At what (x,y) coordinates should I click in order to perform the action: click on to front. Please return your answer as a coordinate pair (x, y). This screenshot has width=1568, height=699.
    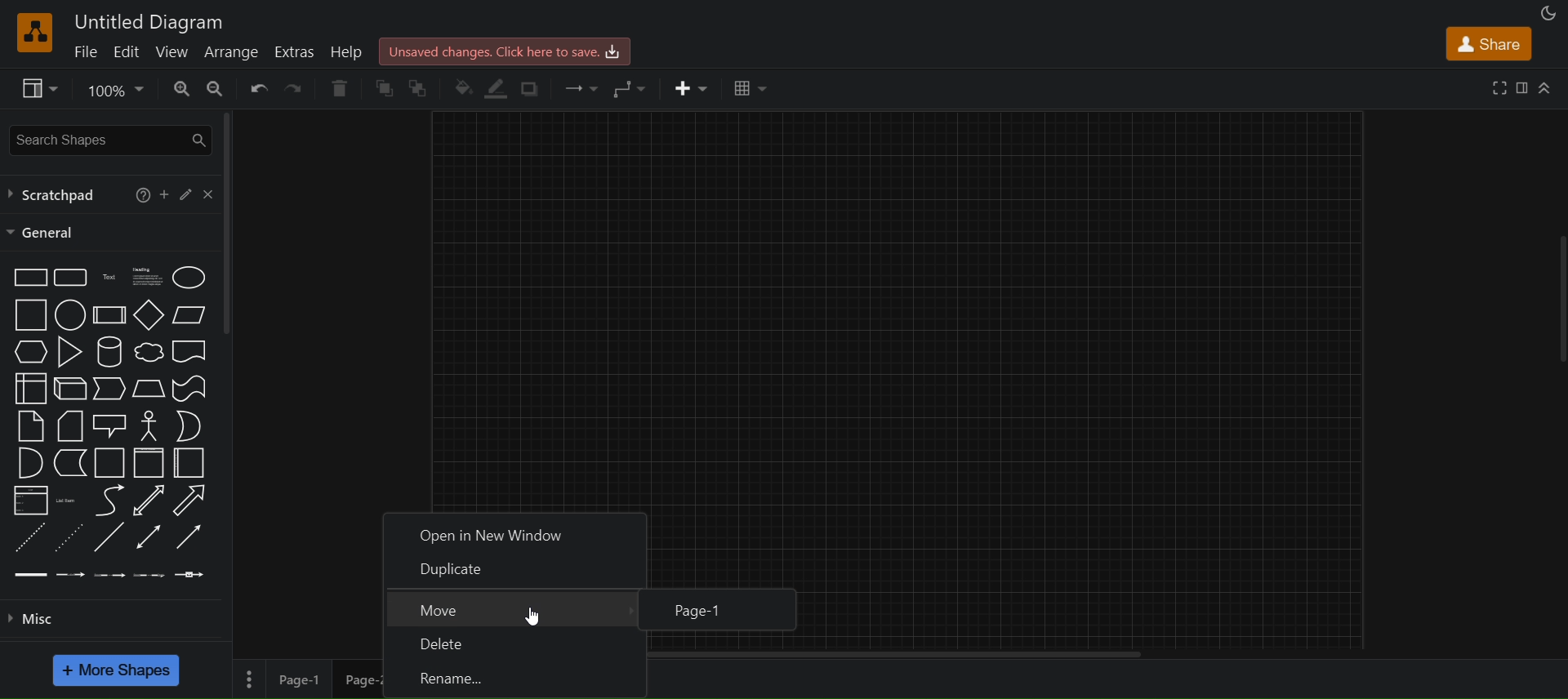
    Looking at the image, I should click on (385, 88).